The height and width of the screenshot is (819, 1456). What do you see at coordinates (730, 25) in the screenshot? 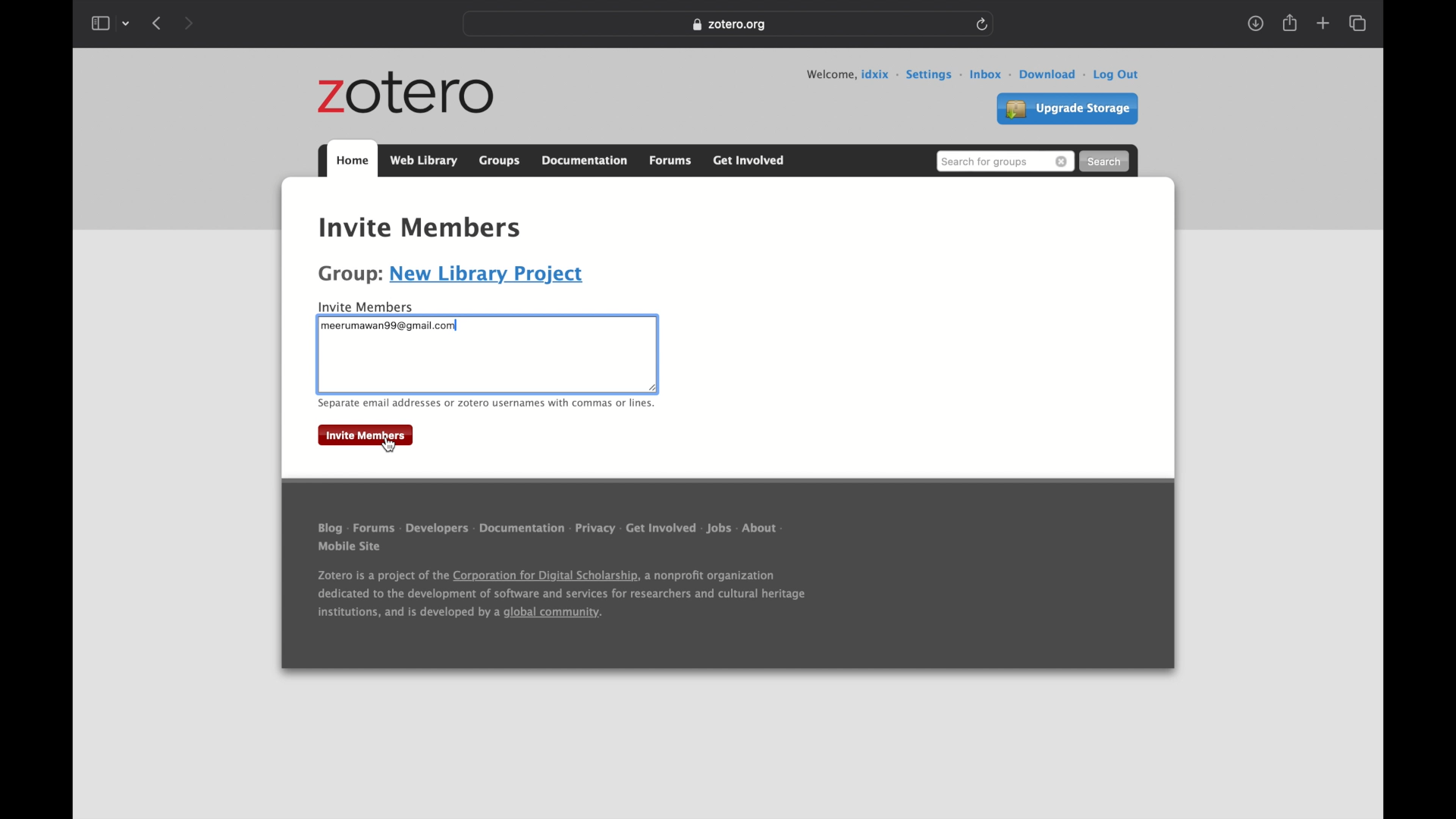
I see `Zotero.org` at bounding box center [730, 25].